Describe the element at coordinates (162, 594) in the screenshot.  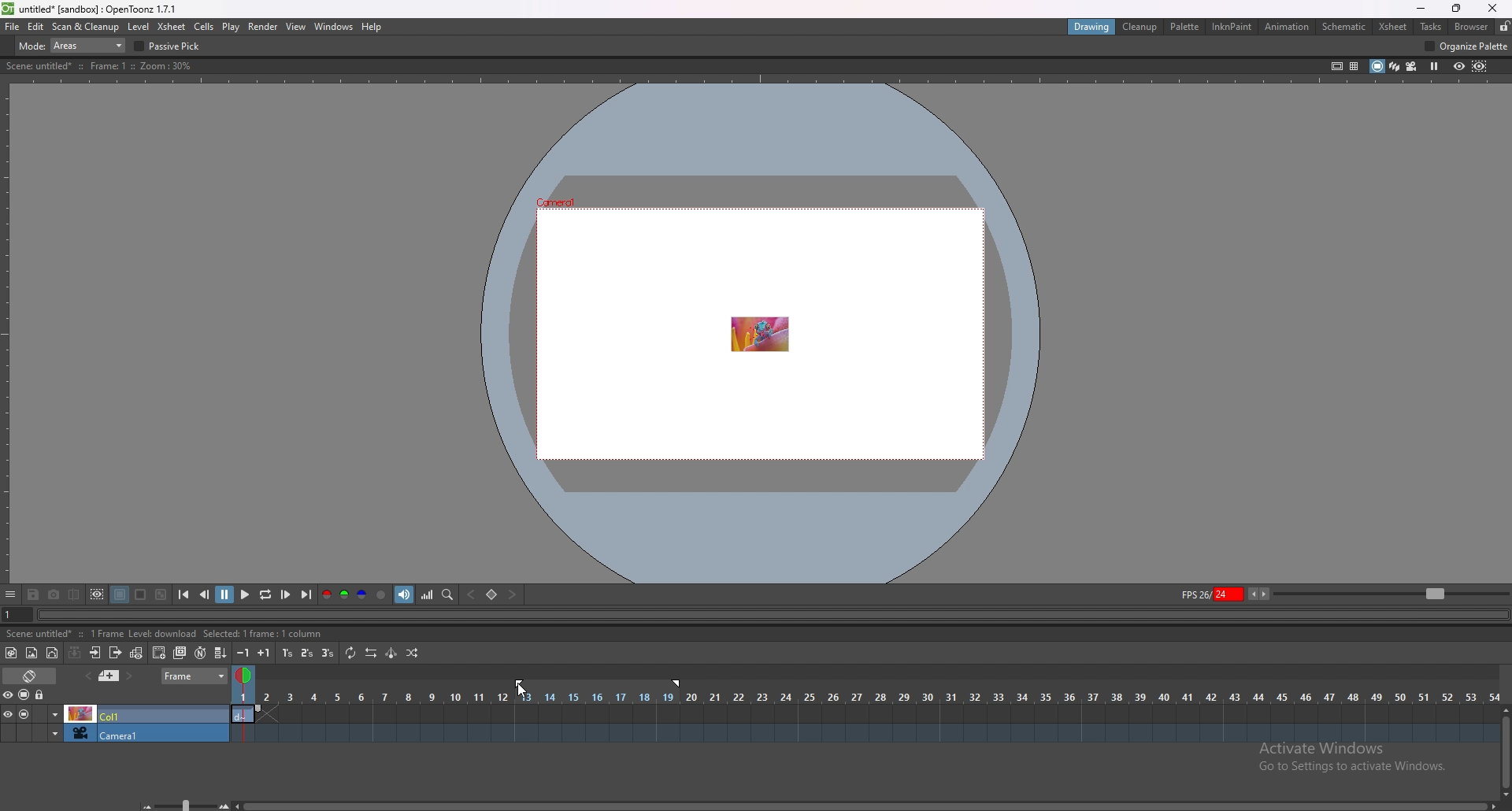
I see `checkered background` at that location.